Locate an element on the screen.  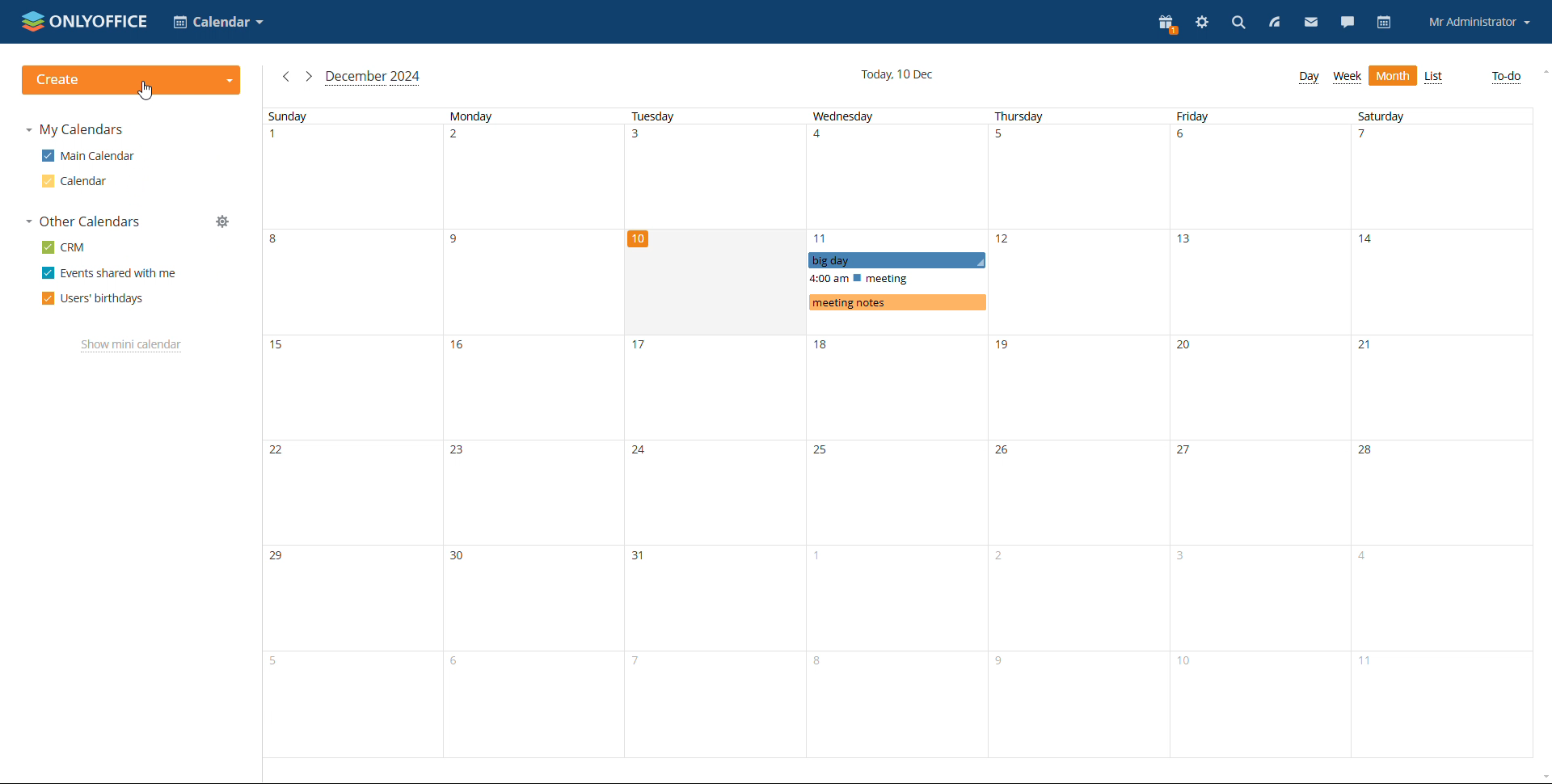
calendar is located at coordinates (74, 182).